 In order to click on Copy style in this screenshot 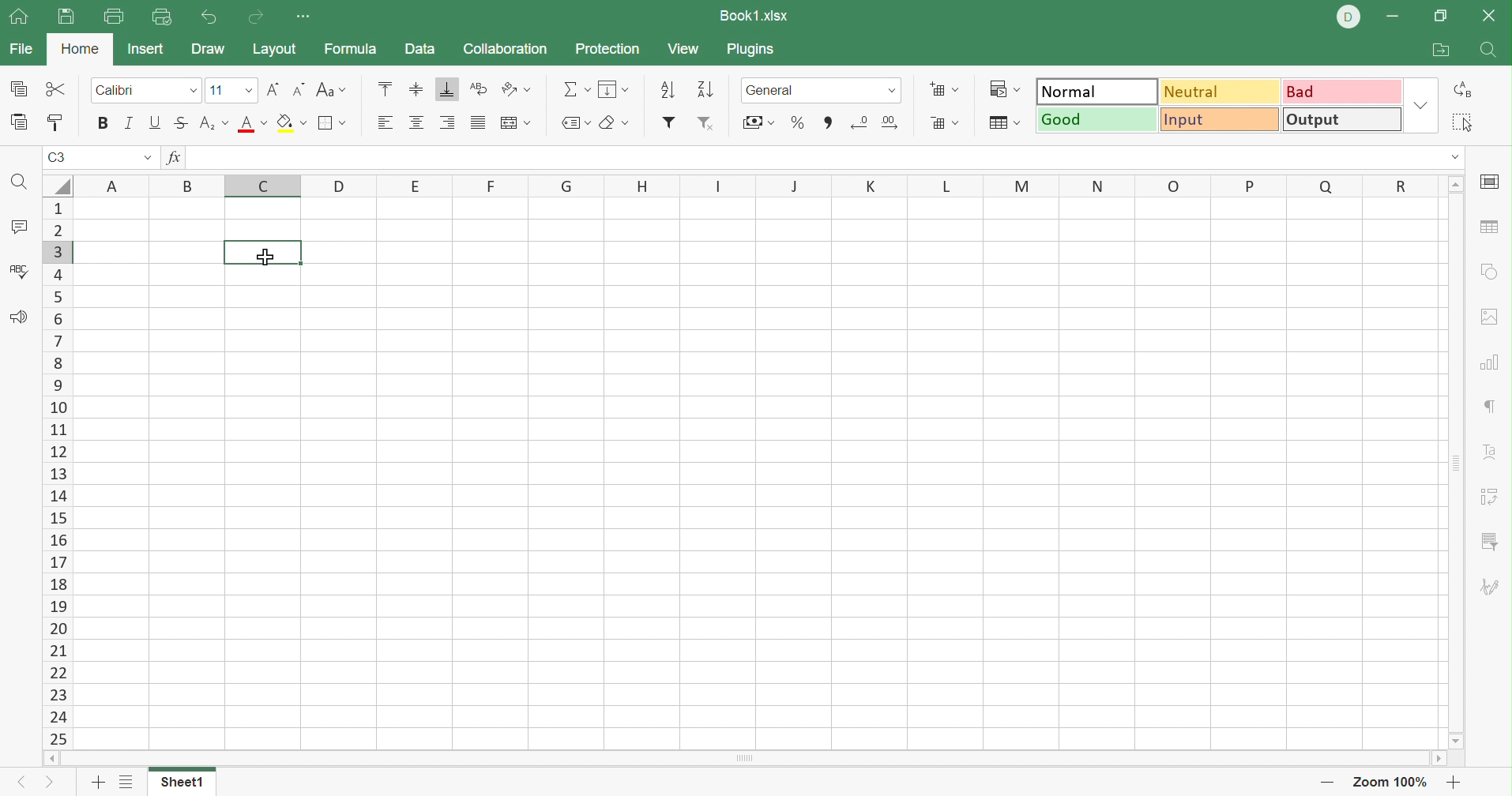, I will do `click(57, 122)`.